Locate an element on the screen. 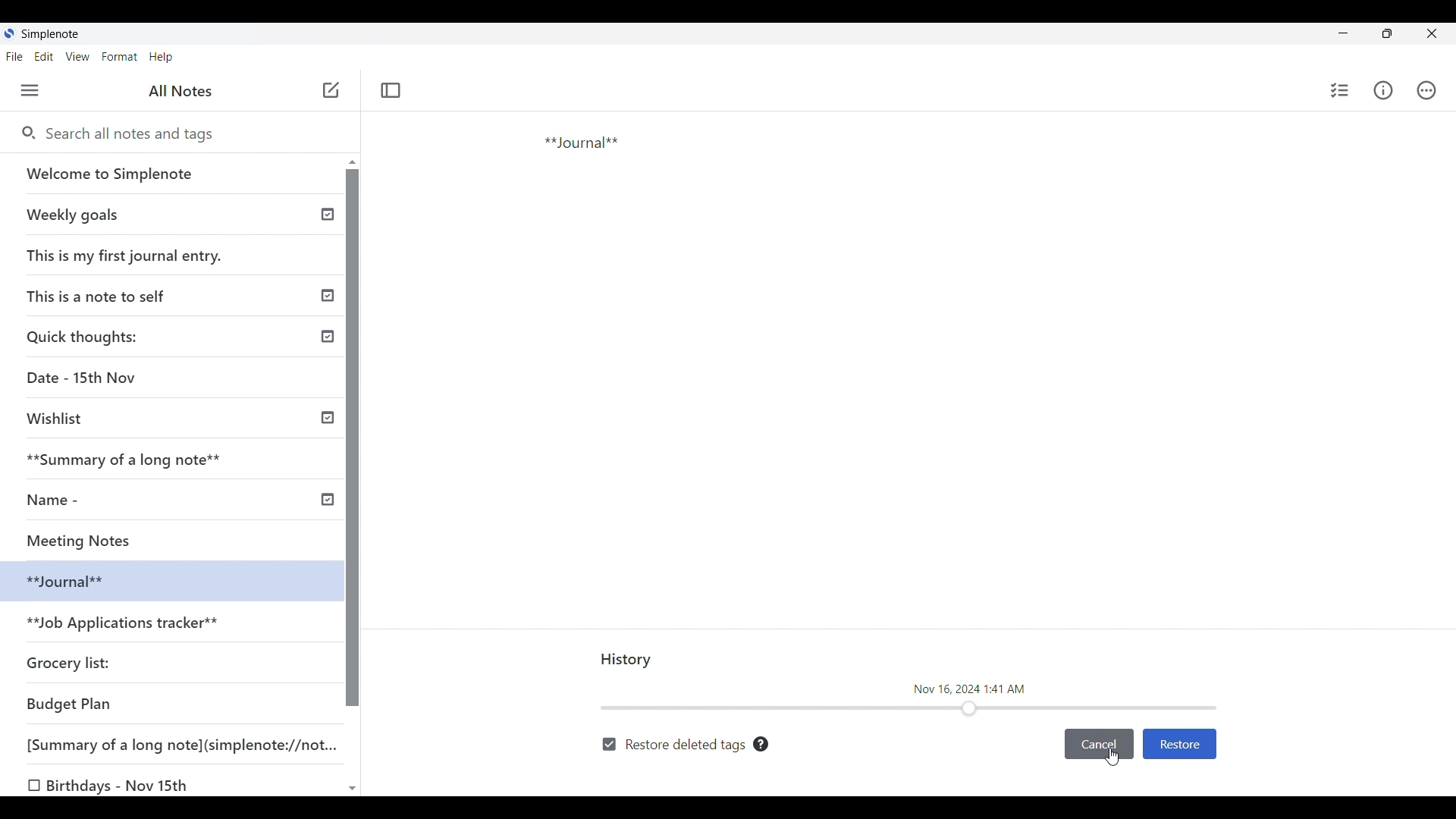  Quick slide to bottom is located at coordinates (353, 789).